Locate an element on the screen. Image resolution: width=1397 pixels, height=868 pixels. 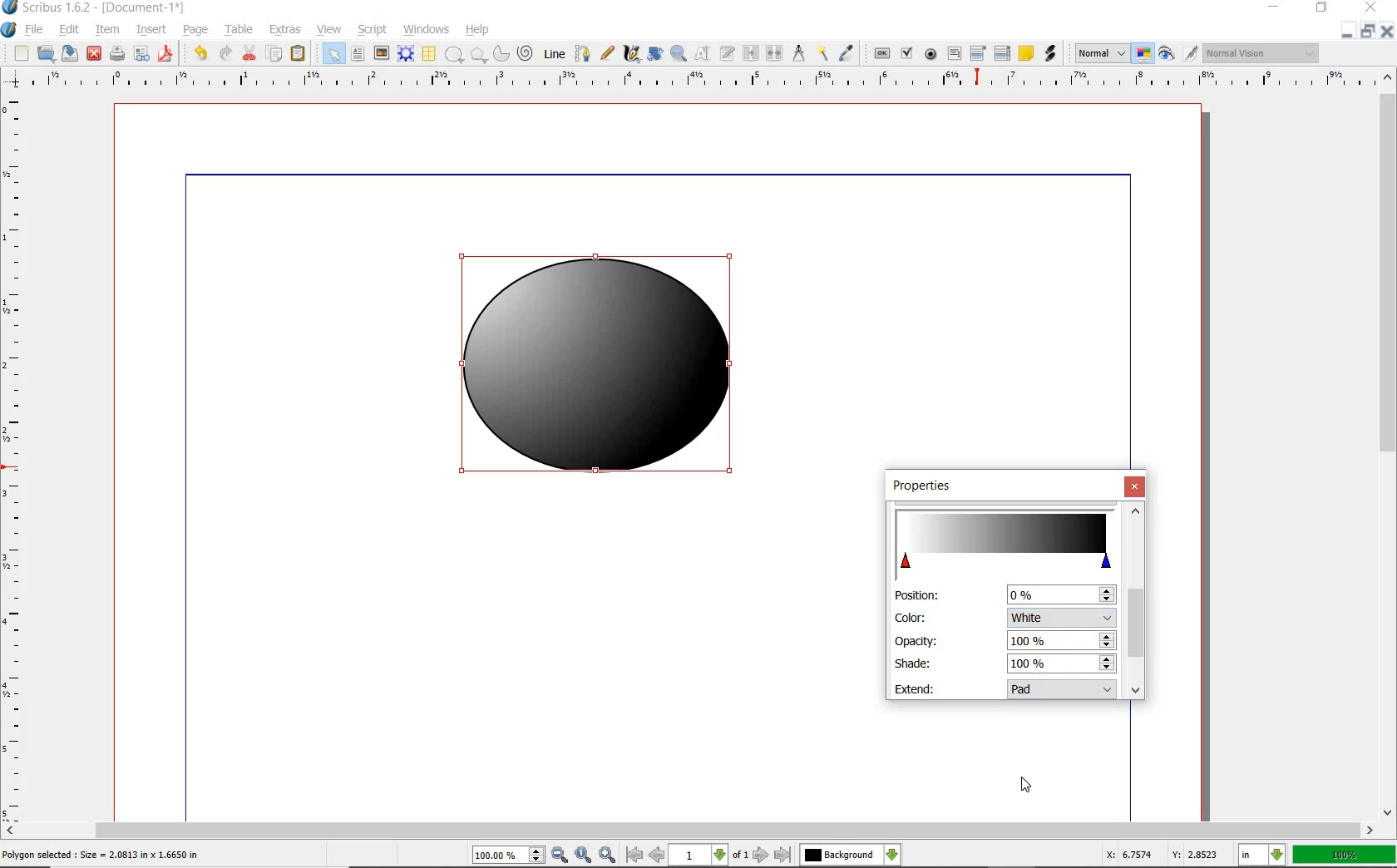
last is located at coordinates (782, 856).